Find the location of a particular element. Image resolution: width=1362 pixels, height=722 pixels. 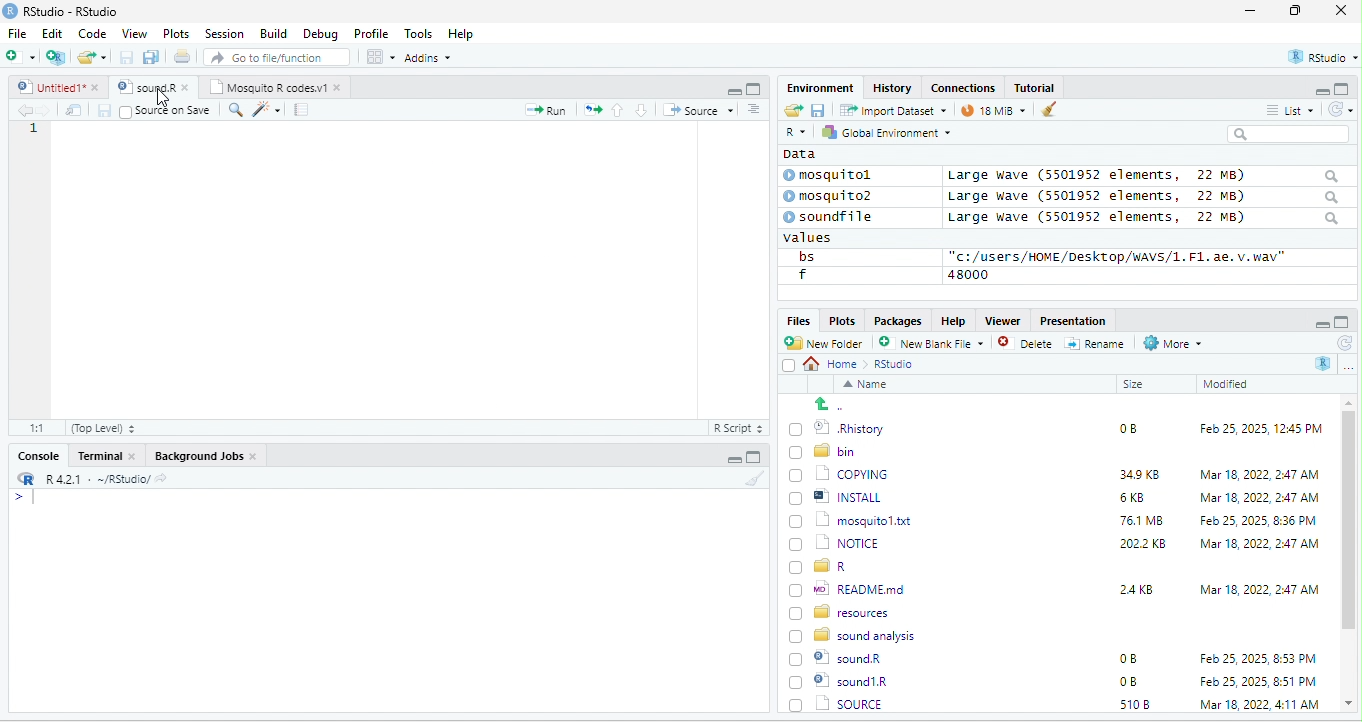

“c:/users/HOME /Desktop/WAVS/1.F1. ae. v.wav" is located at coordinates (1117, 256).